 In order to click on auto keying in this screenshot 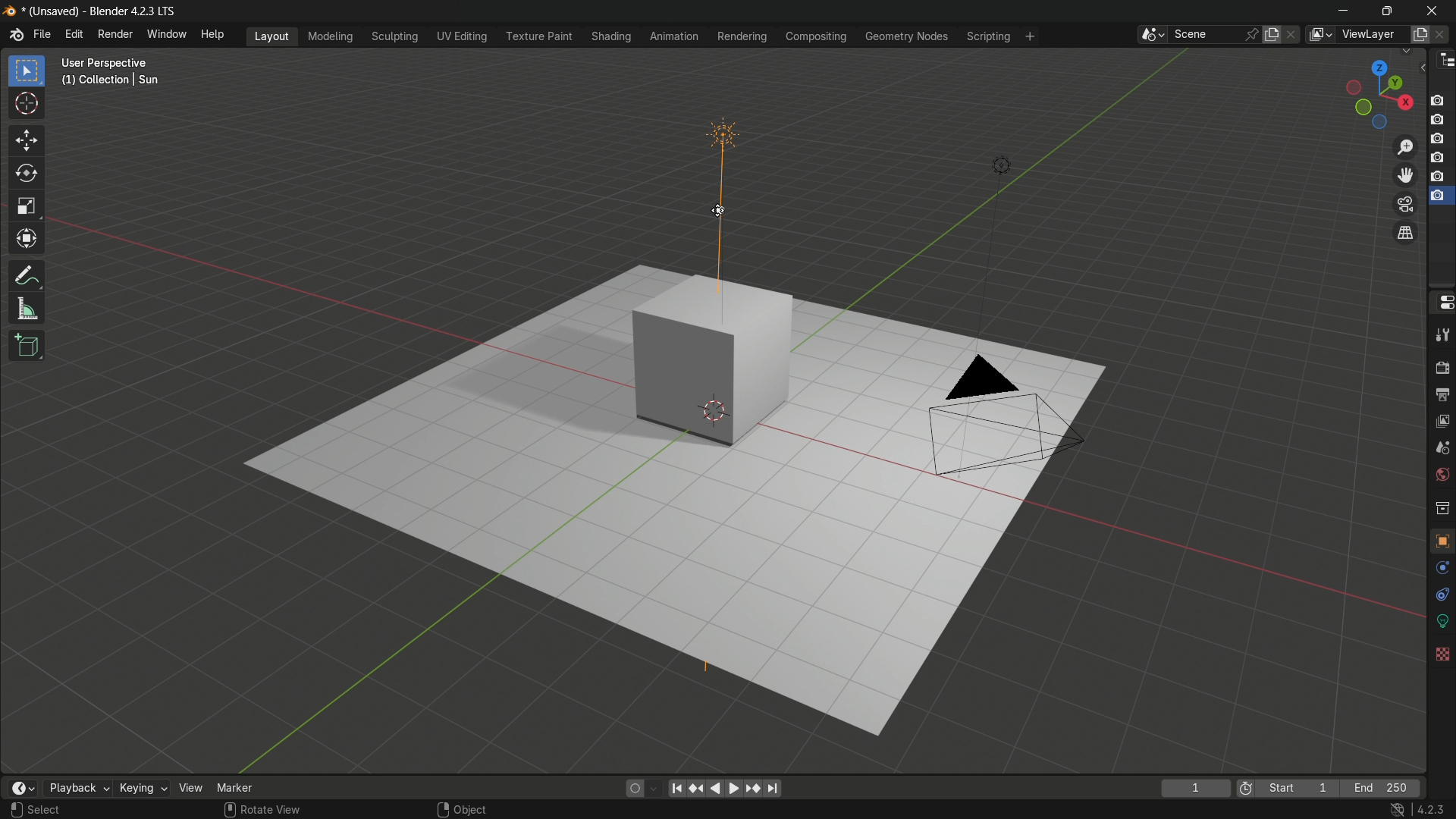, I will do `click(632, 789)`.